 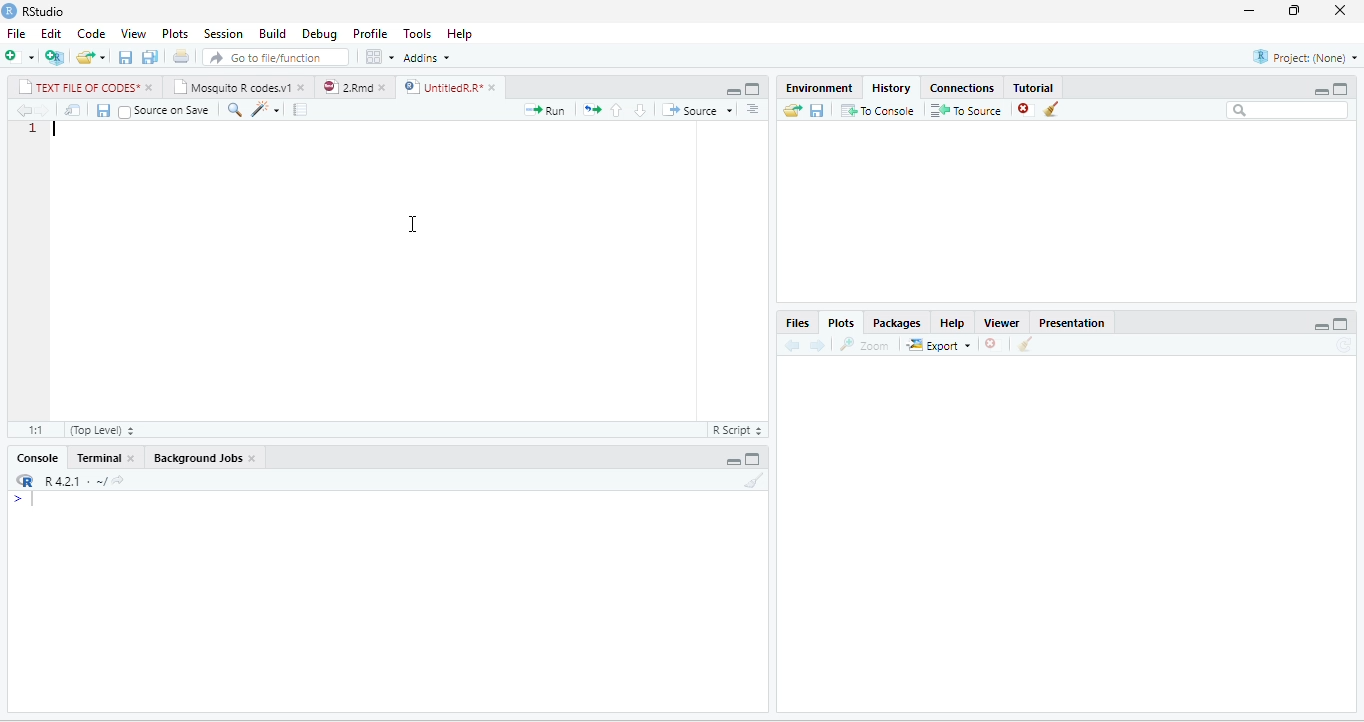 I want to click on forward, so click(x=44, y=110).